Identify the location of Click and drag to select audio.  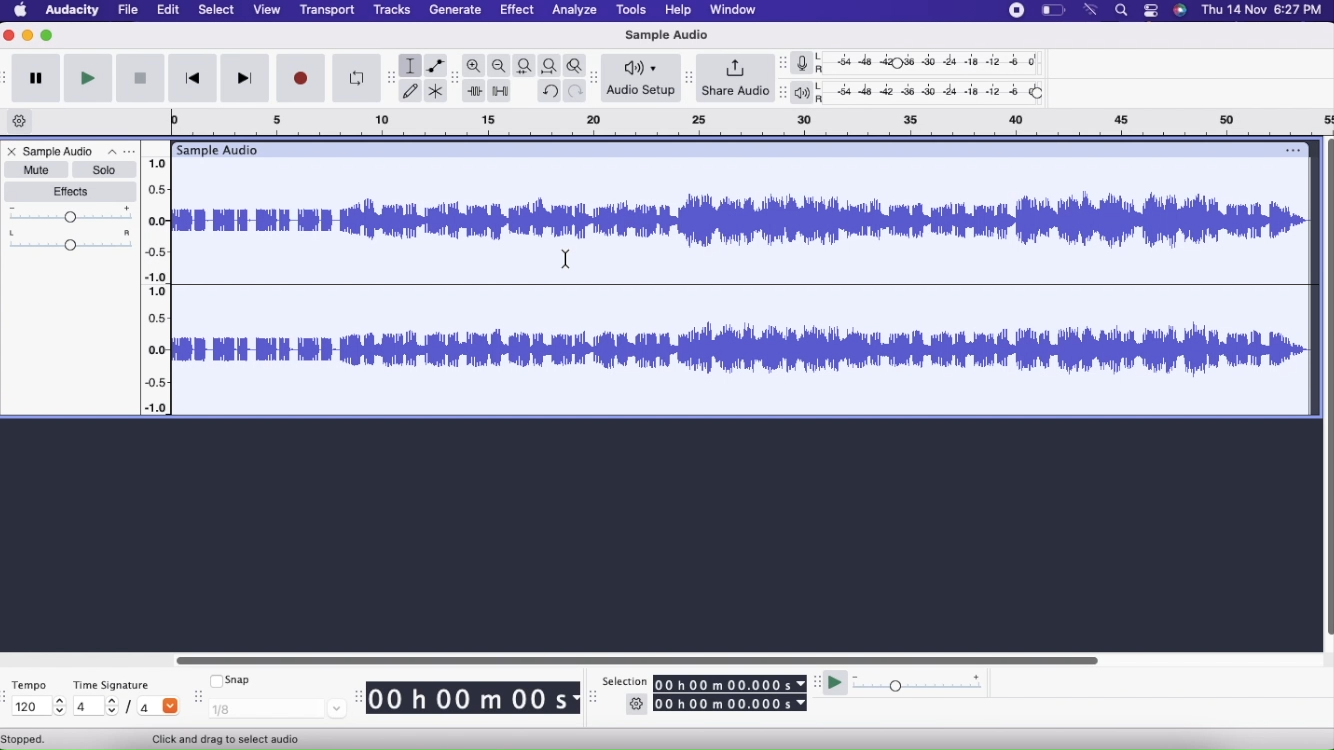
(241, 739).